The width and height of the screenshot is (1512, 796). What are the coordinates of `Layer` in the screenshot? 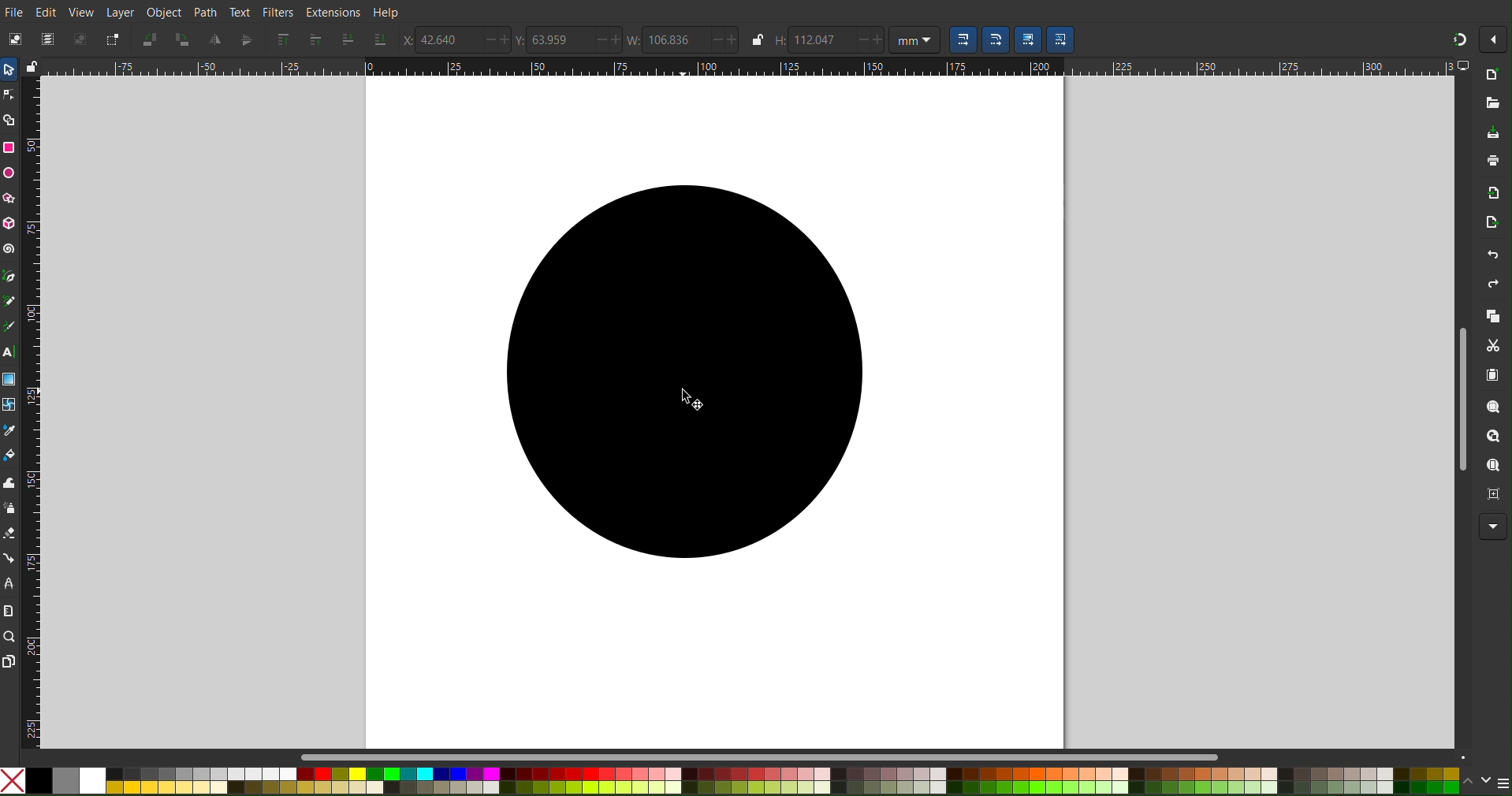 It's located at (120, 12).